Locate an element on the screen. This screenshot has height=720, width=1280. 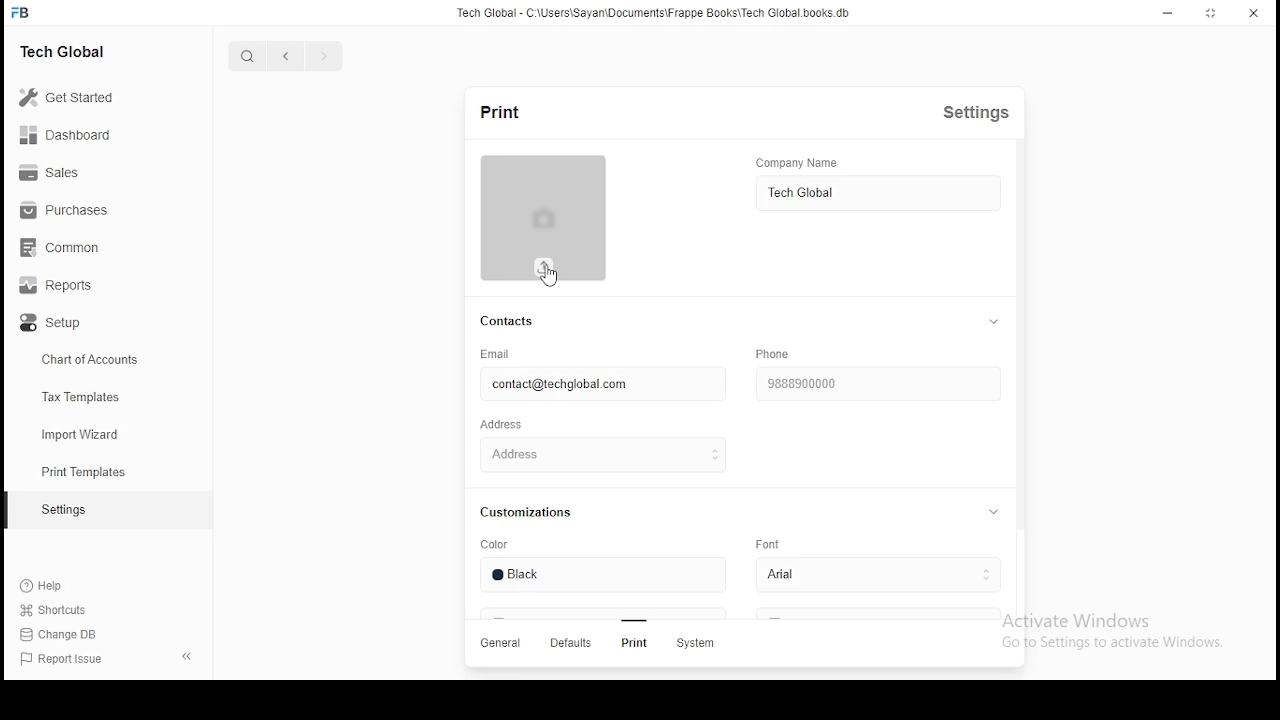
CLOSE  is located at coordinates (1255, 13).